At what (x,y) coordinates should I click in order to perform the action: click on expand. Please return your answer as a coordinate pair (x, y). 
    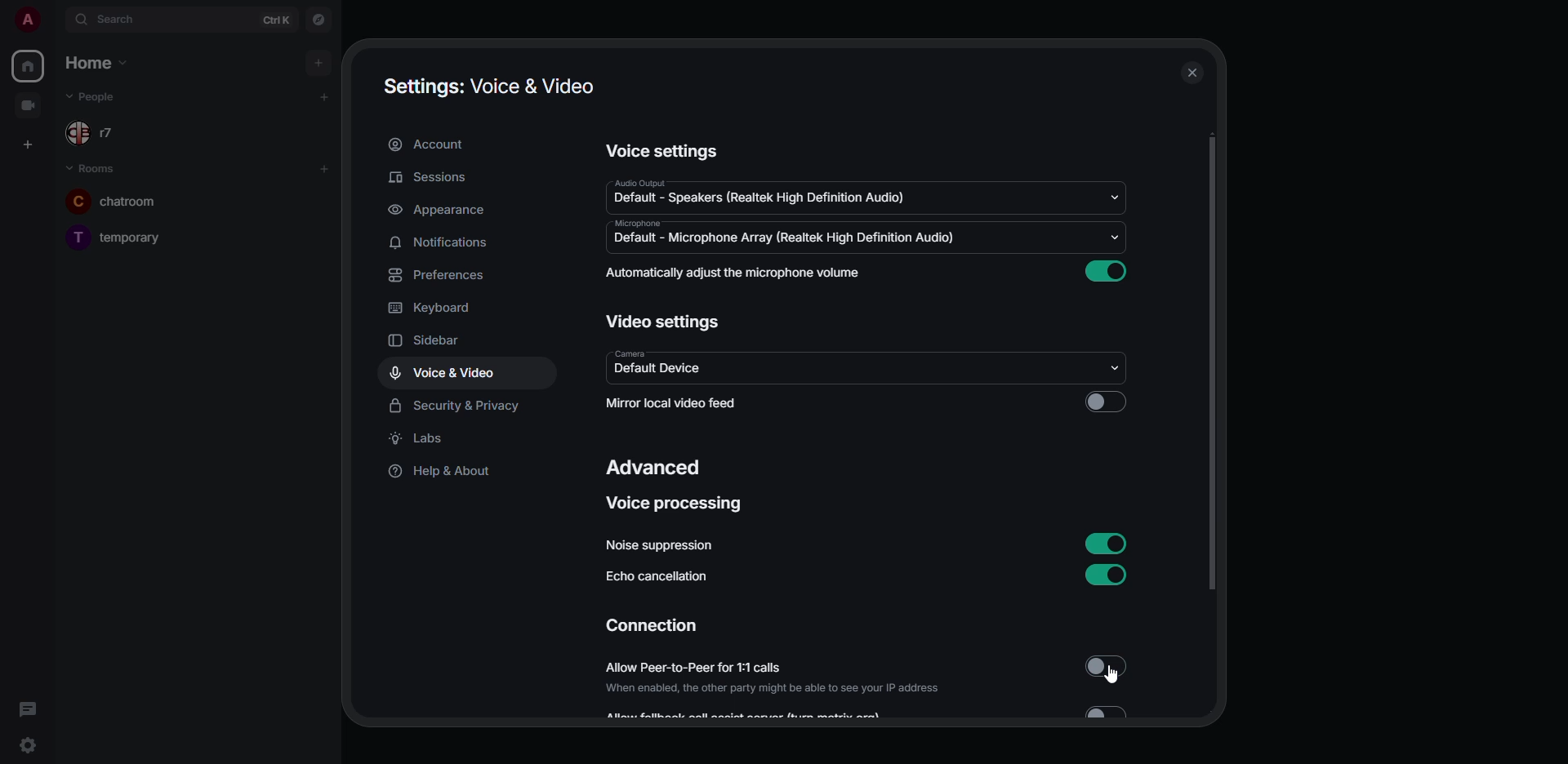
    Looking at the image, I should click on (54, 21).